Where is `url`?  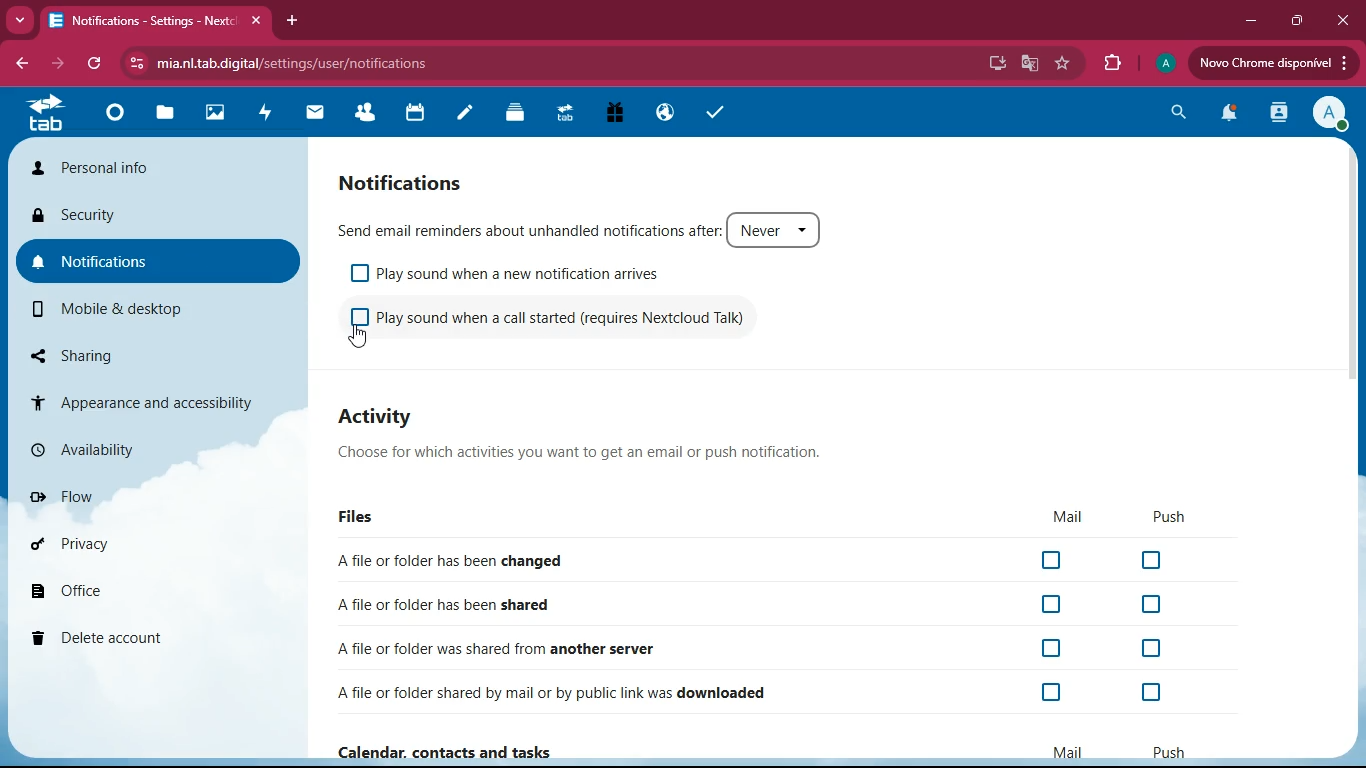
url is located at coordinates (340, 63).